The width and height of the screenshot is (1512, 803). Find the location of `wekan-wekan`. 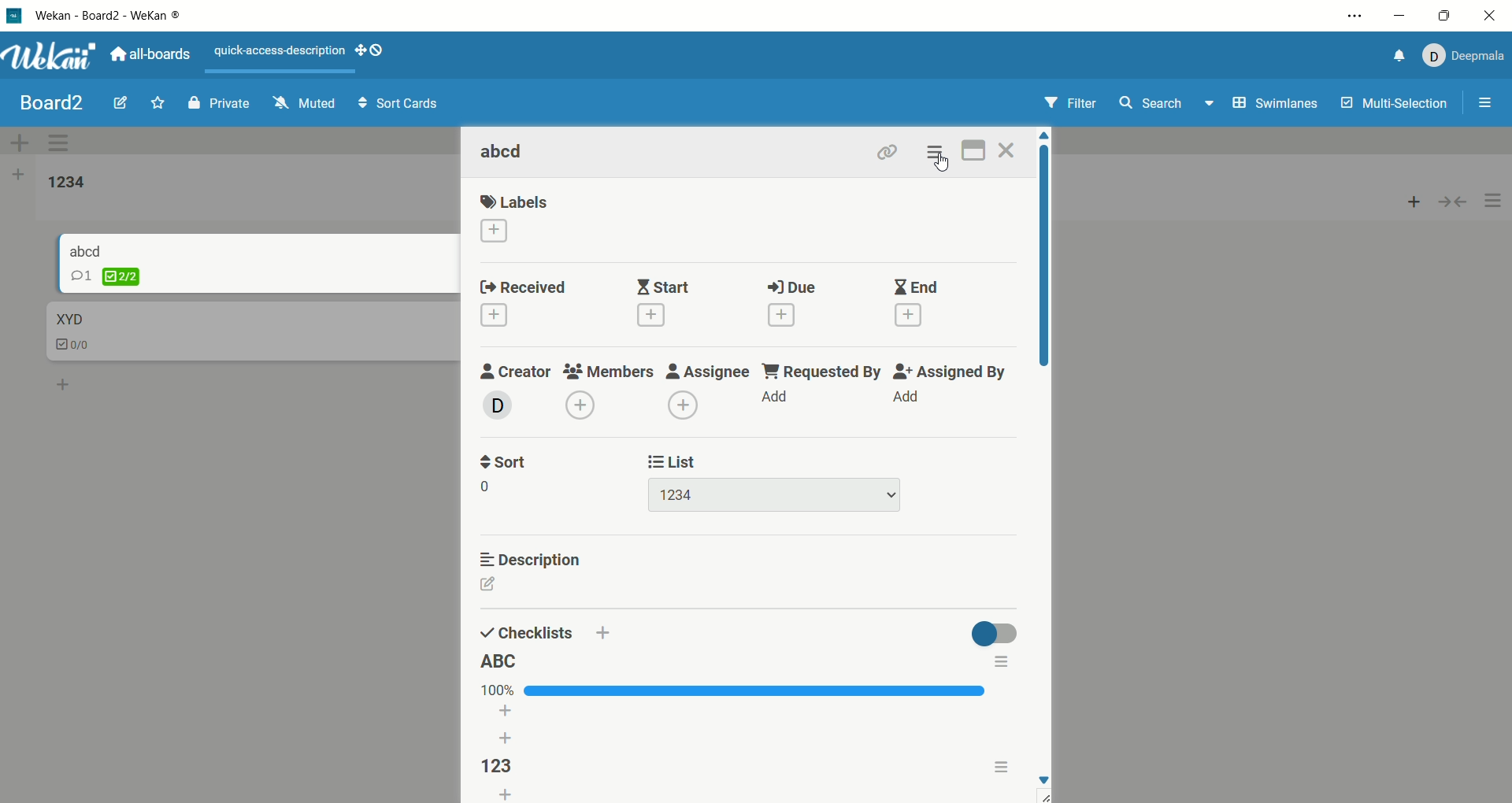

wekan-wekan is located at coordinates (127, 15).